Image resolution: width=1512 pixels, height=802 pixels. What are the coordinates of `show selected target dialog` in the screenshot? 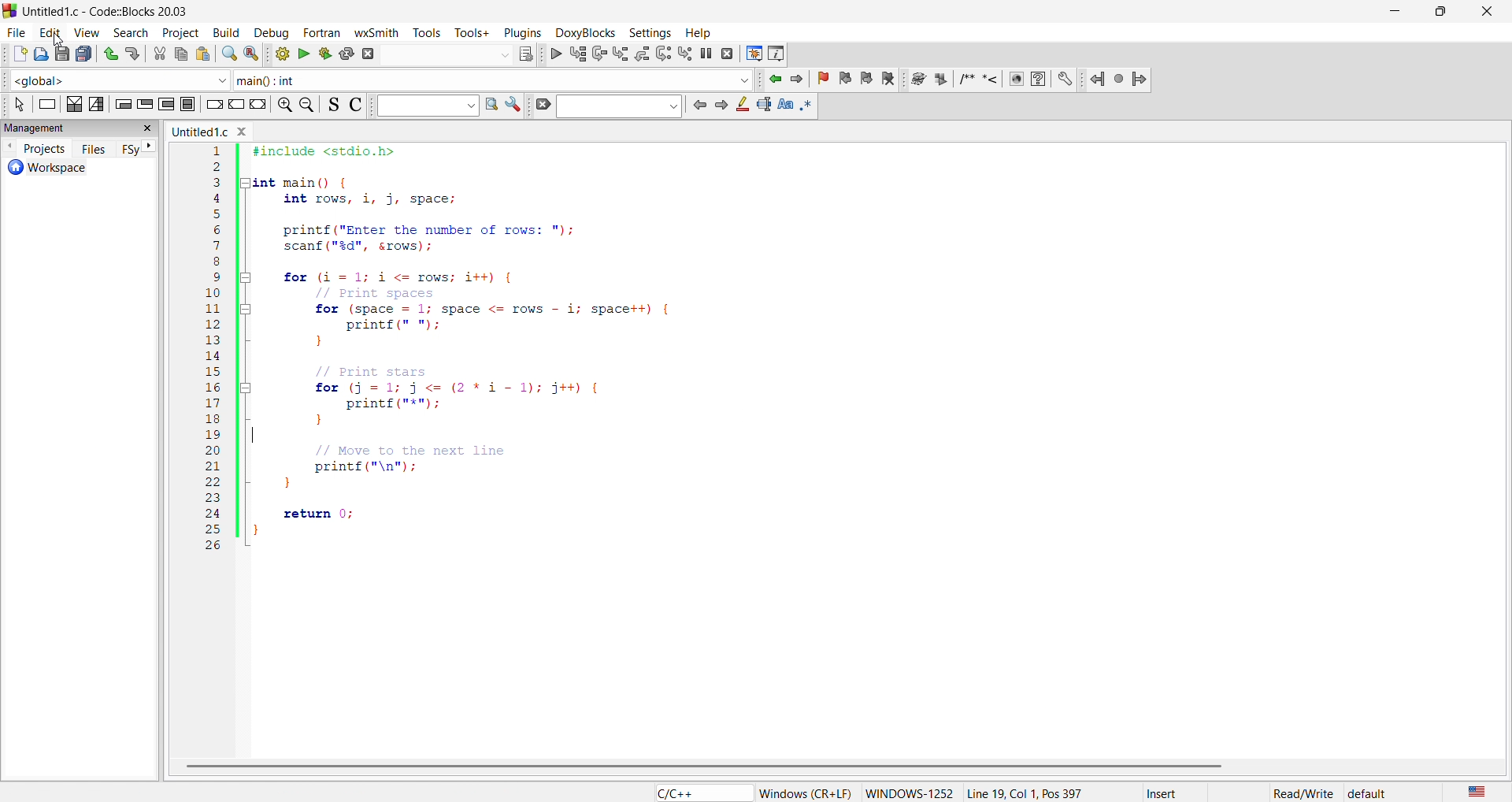 It's located at (524, 54).